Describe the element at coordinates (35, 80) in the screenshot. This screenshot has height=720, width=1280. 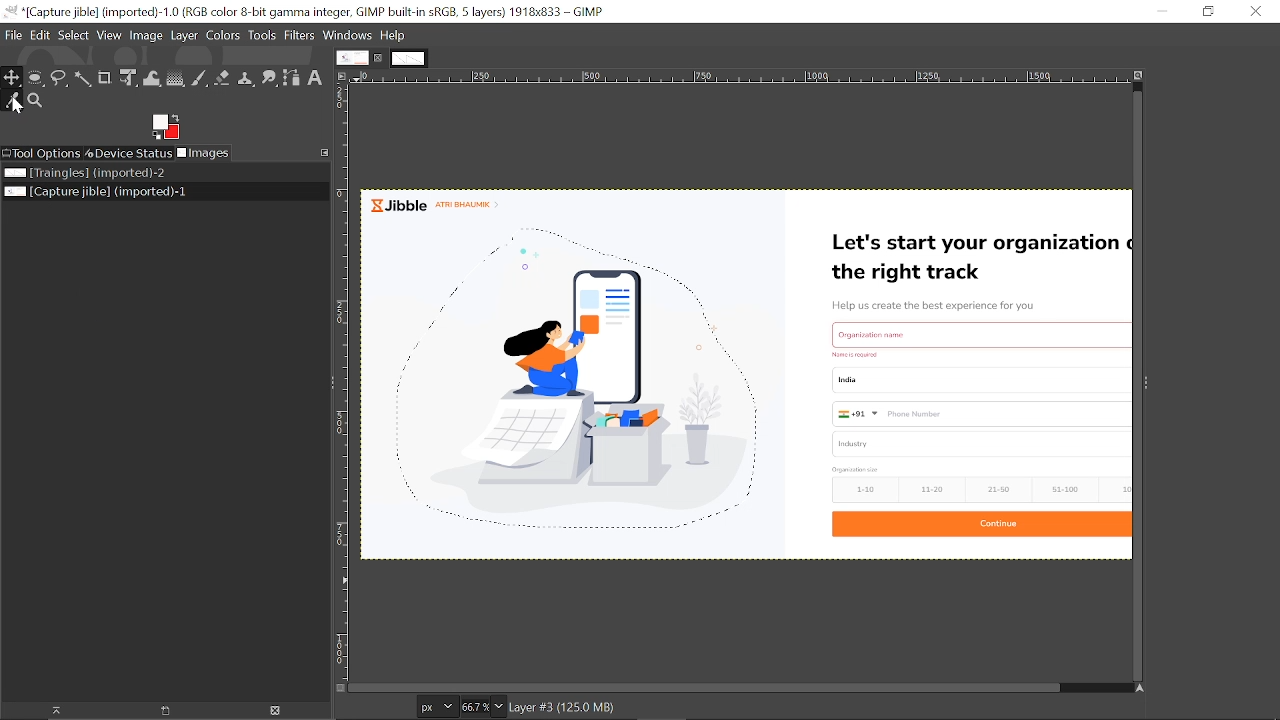
I see `Ellipse select tool` at that location.